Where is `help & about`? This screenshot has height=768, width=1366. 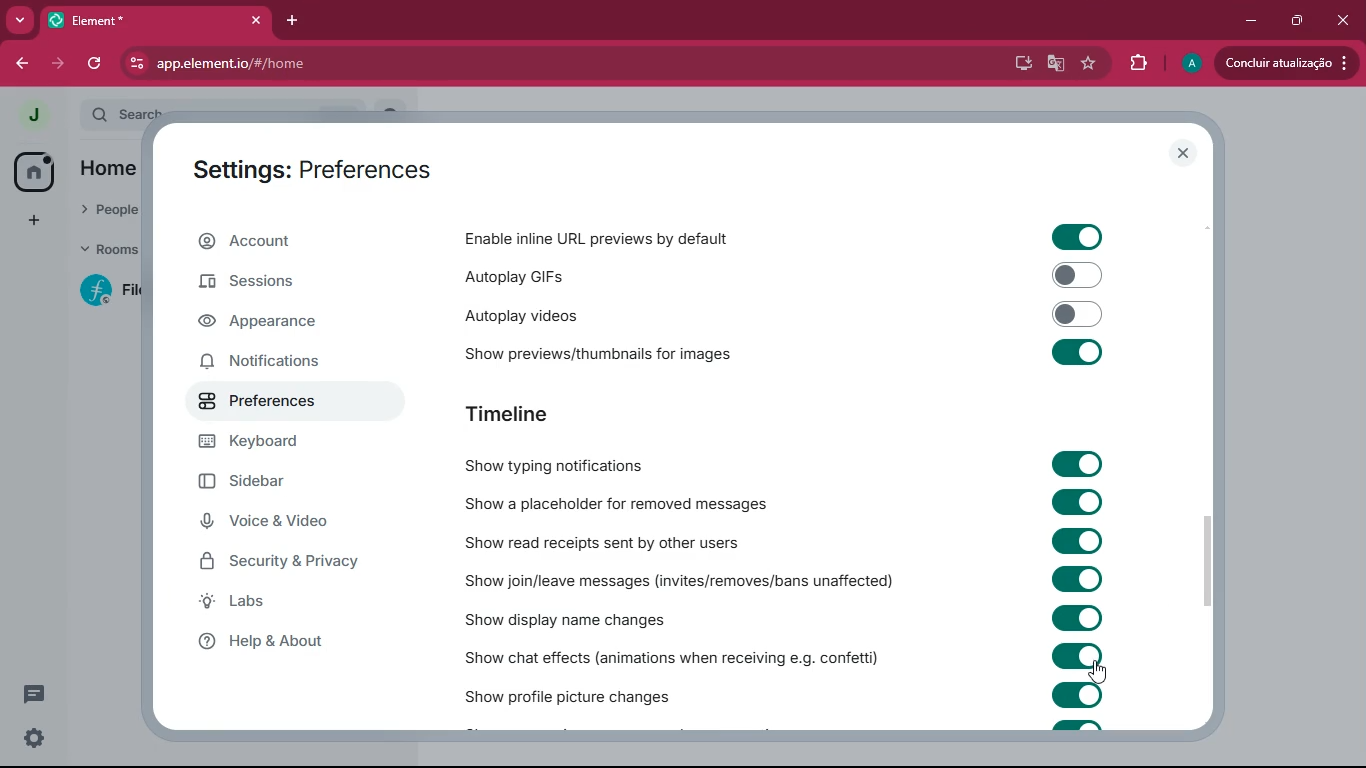
help & about is located at coordinates (288, 639).